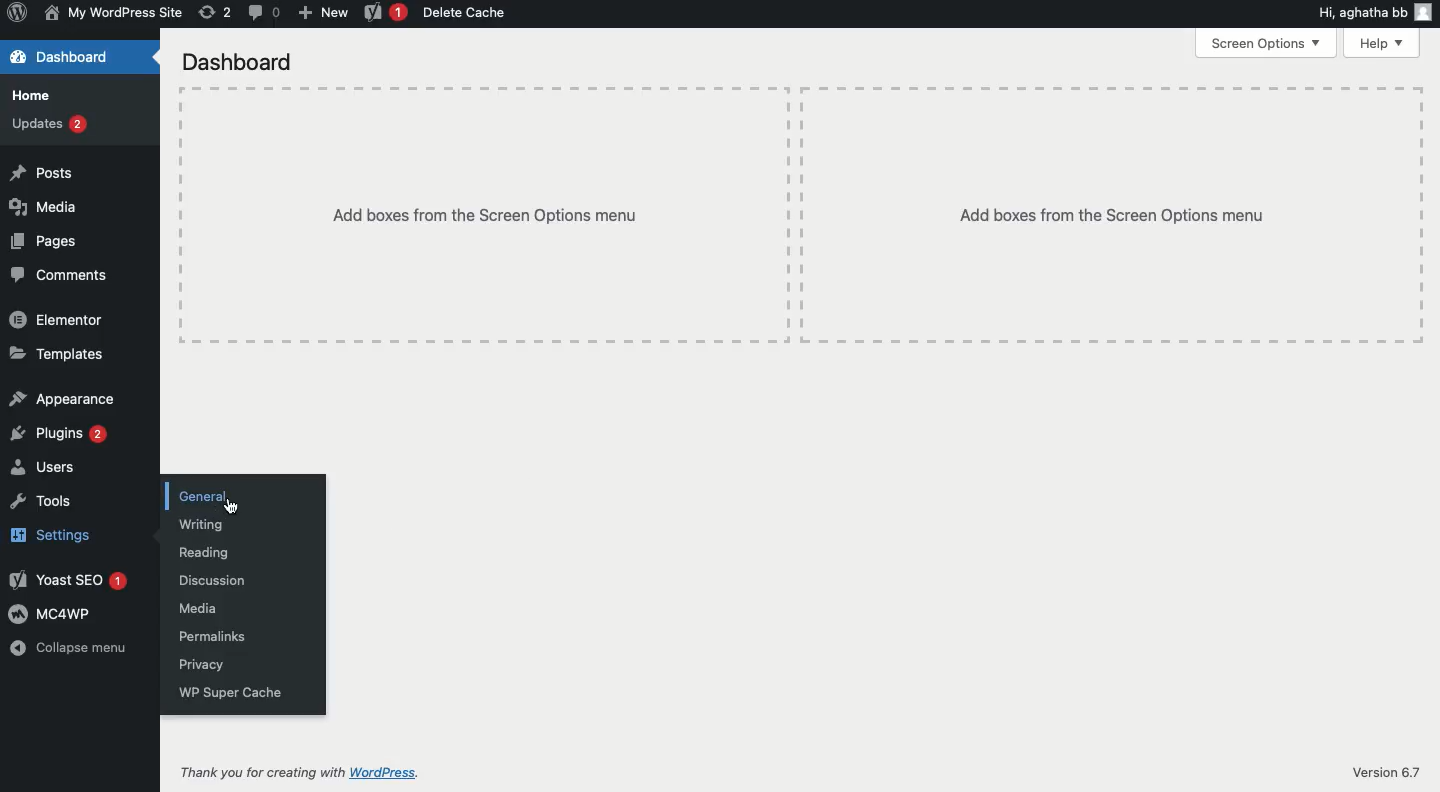 Image resolution: width=1440 pixels, height=792 pixels. What do you see at coordinates (1262, 41) in the screenshot?
I see `Screen options` at bounding box center [1262, 41].